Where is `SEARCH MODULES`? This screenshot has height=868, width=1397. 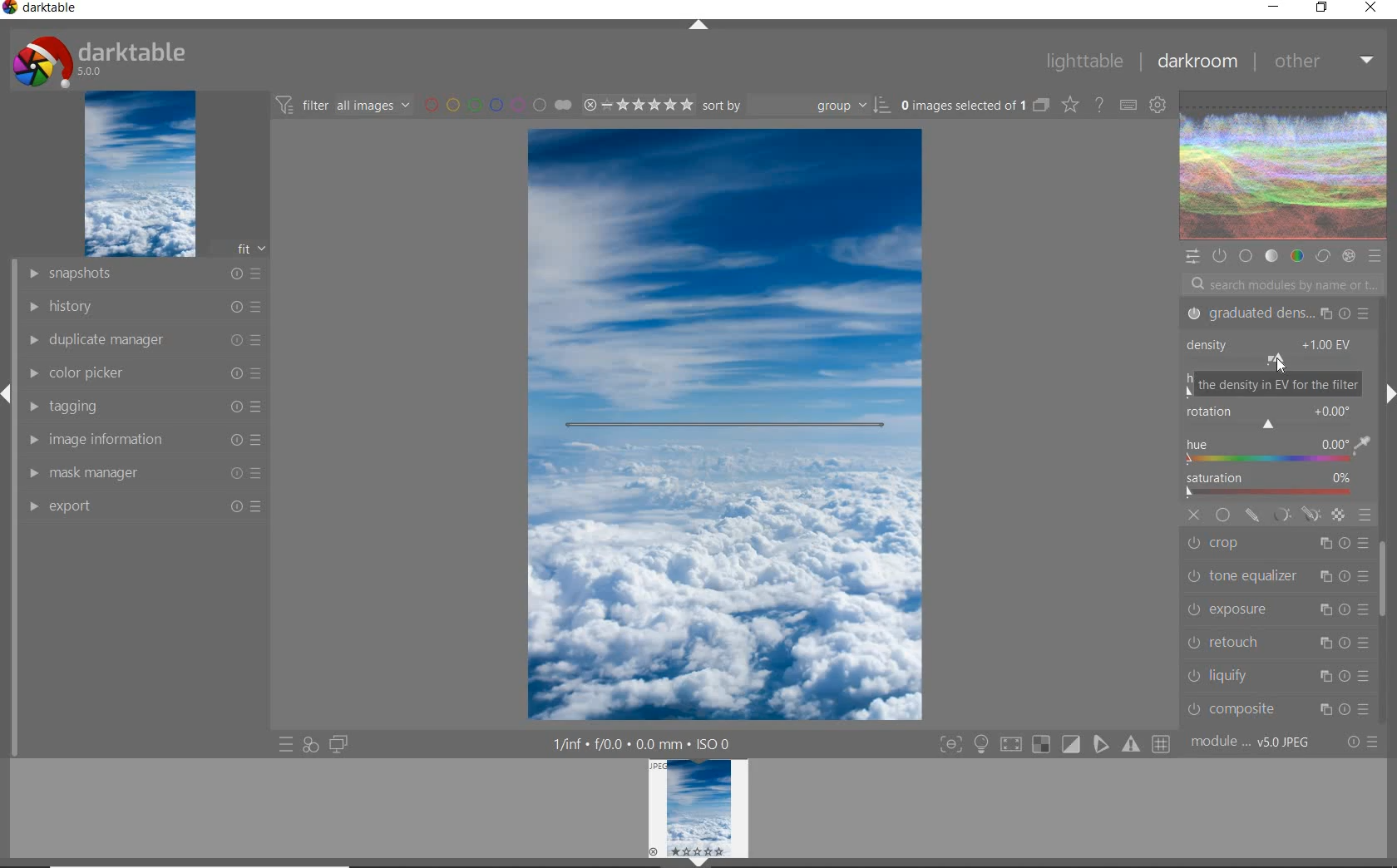
SEARCH MODULES is located at coordinates (1283, 284).